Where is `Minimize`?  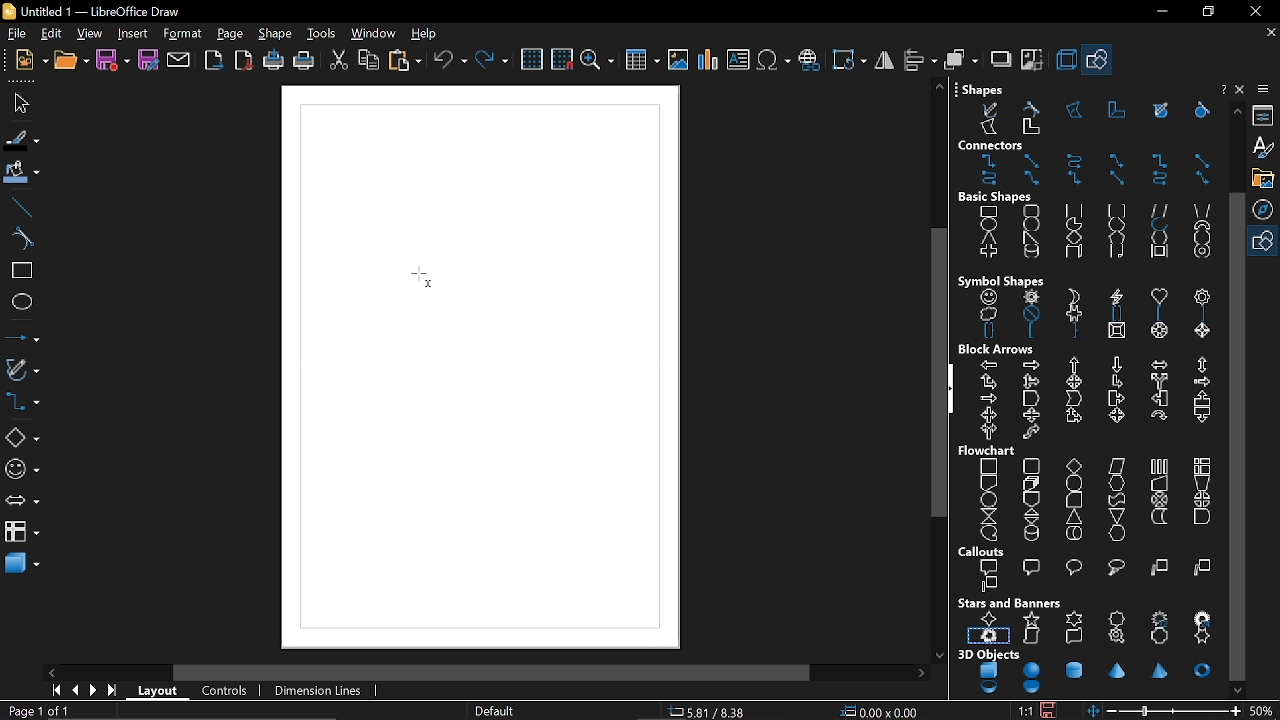 Minimize is located at coordinates (1157, 12).